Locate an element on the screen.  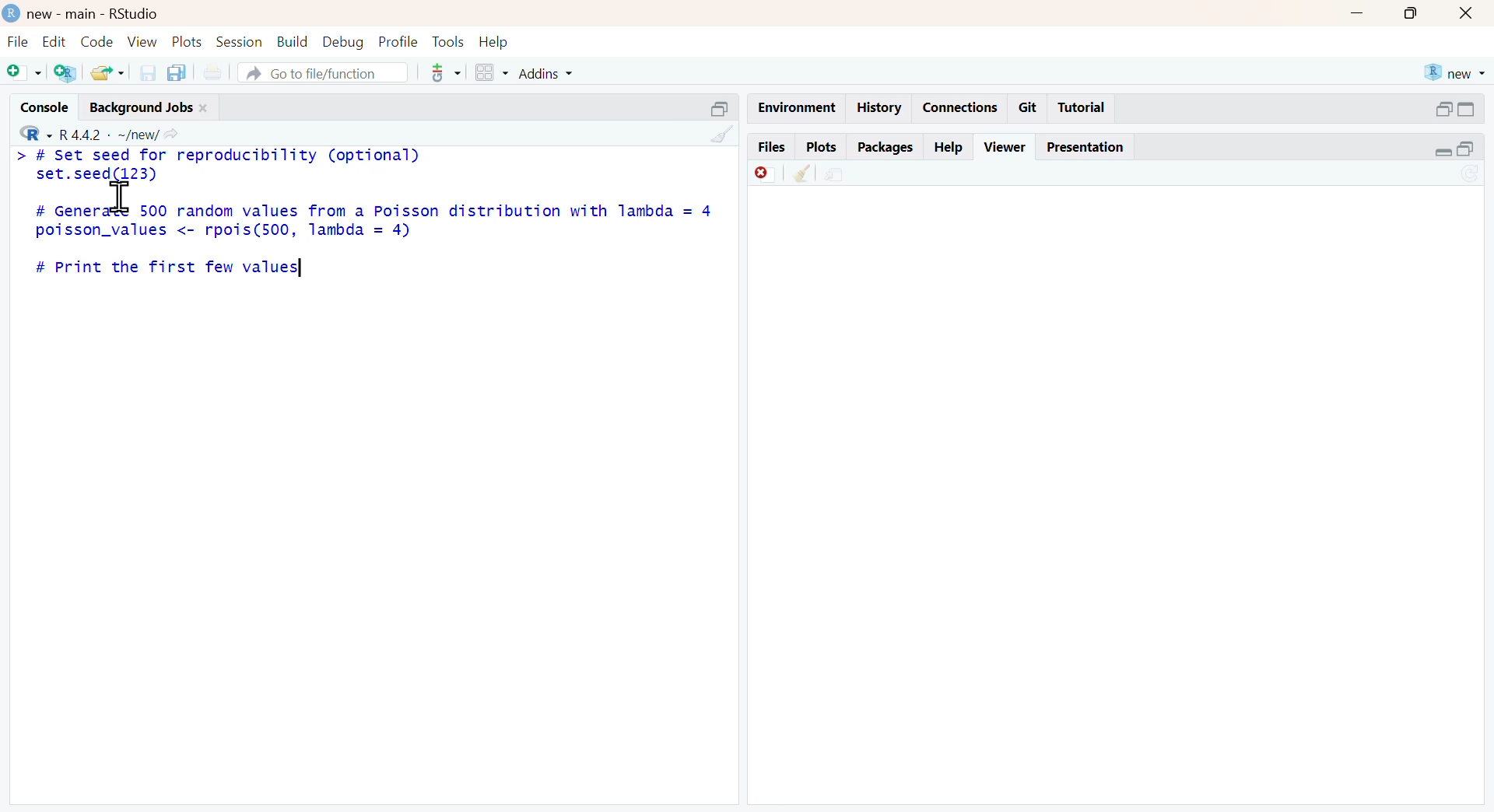
> # set seed for reproducibility (optional)
set.seed(123) is located at coordinates (219, 166).